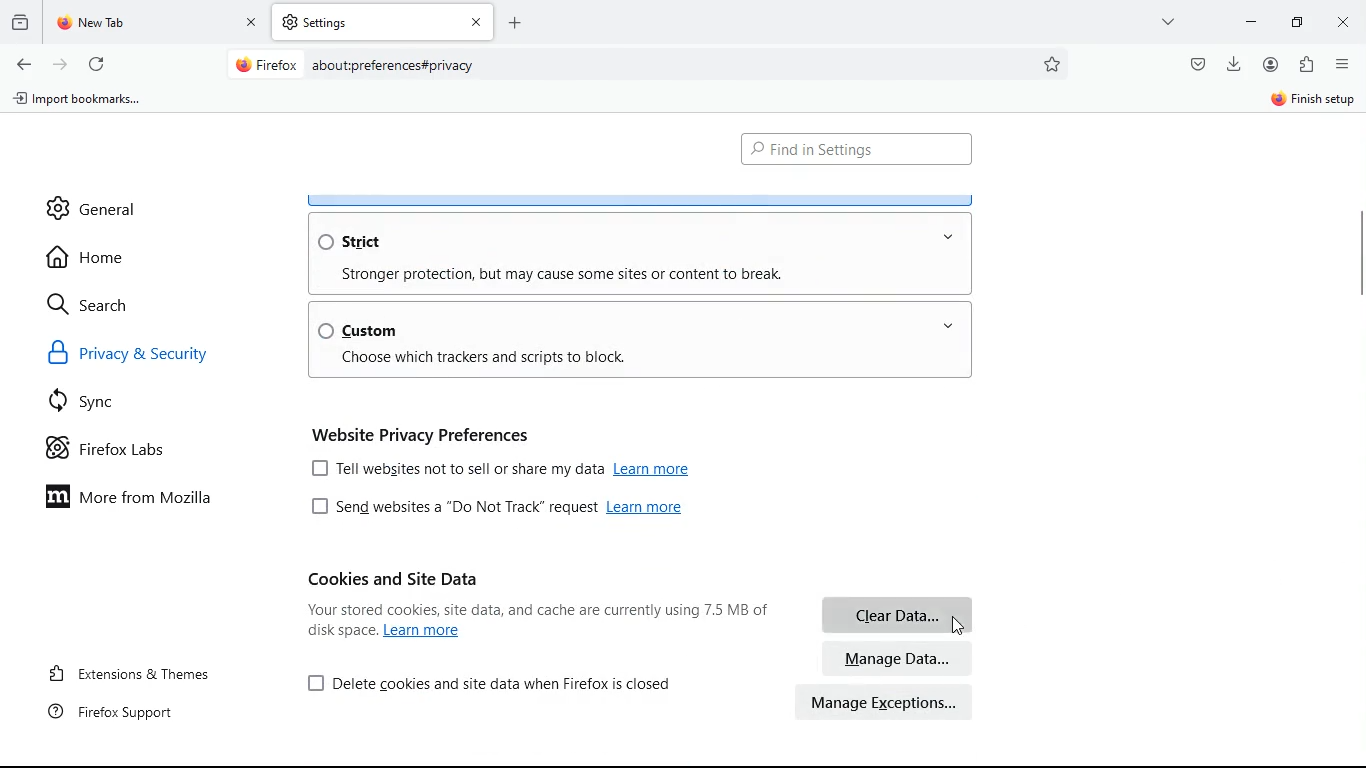  Describe the element at coordinates (1346, 24) in the screenshot. I see `close` at that location.